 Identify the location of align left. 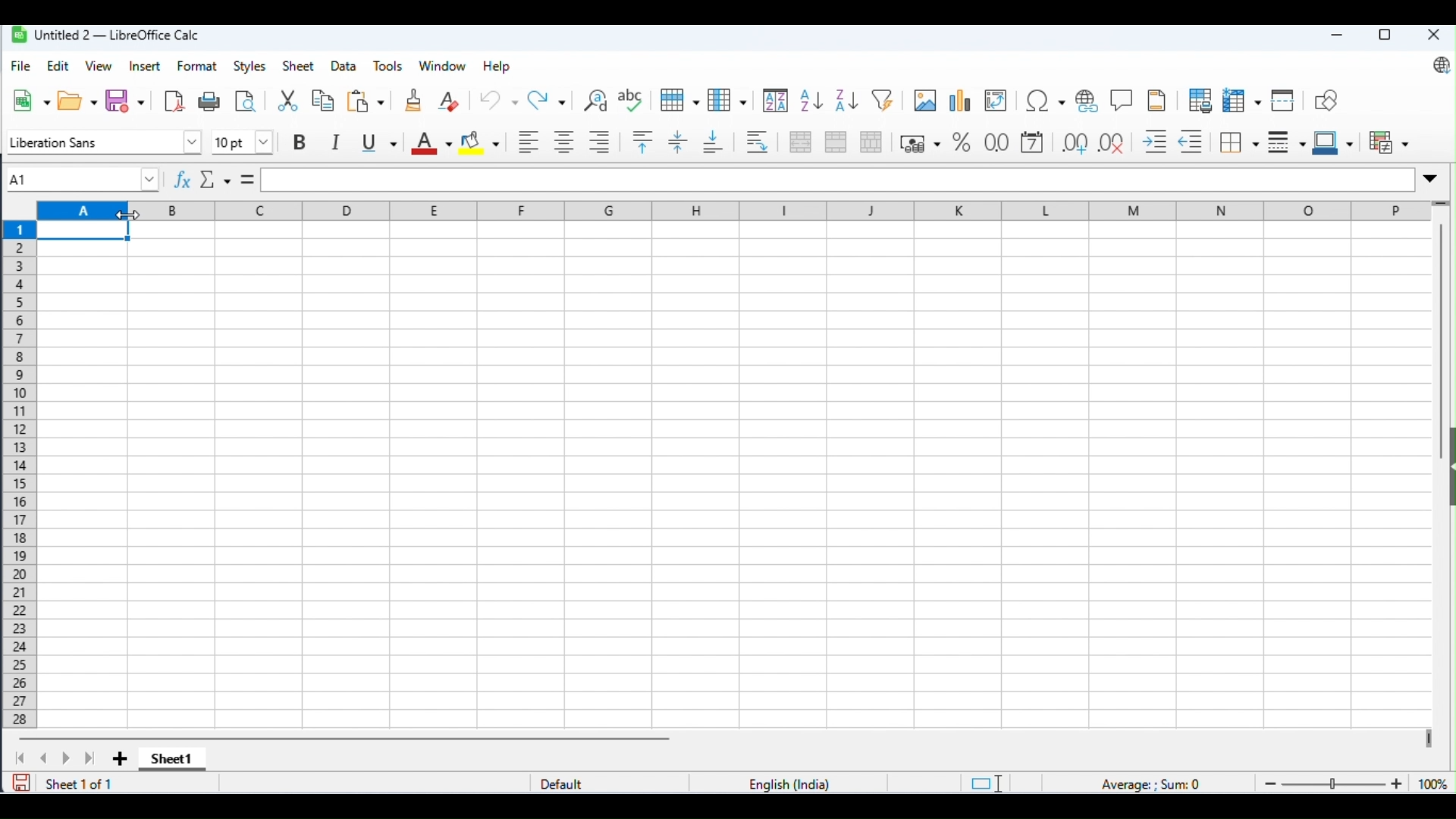
(529, 140).